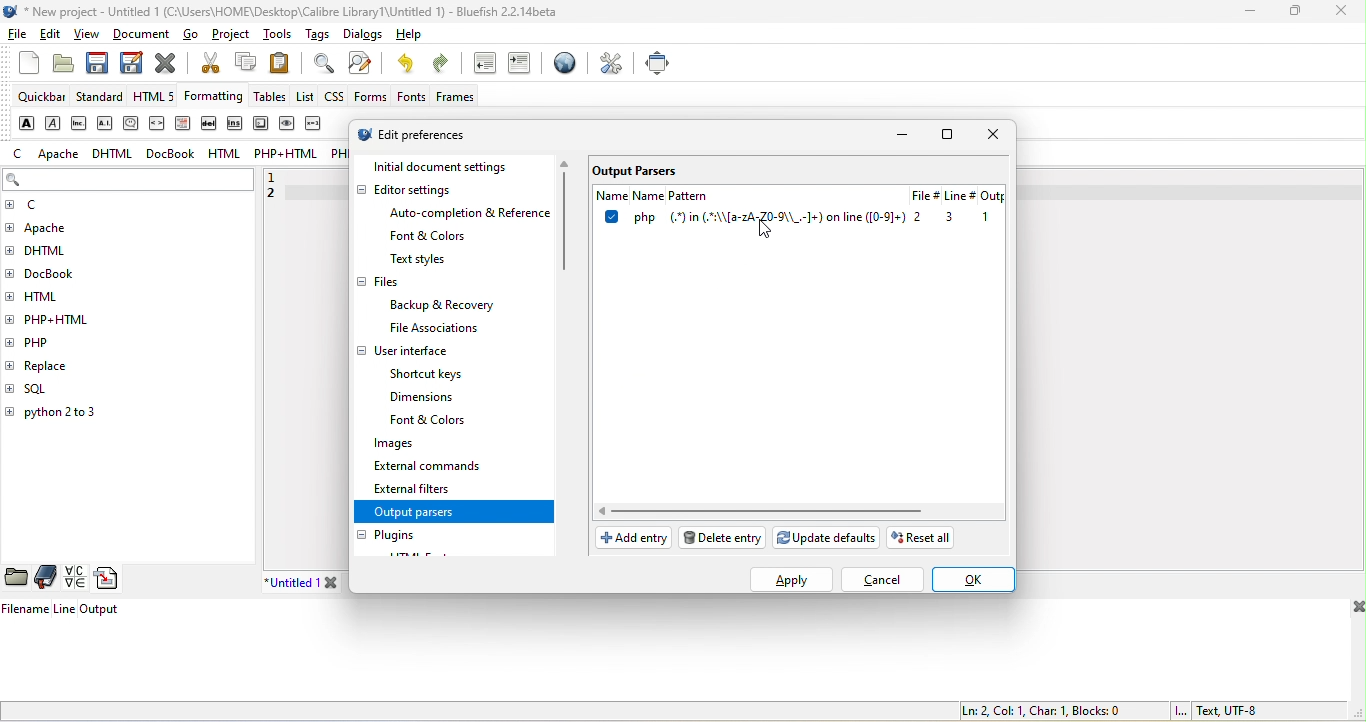  I want to click on search bar, so click(128, 181).